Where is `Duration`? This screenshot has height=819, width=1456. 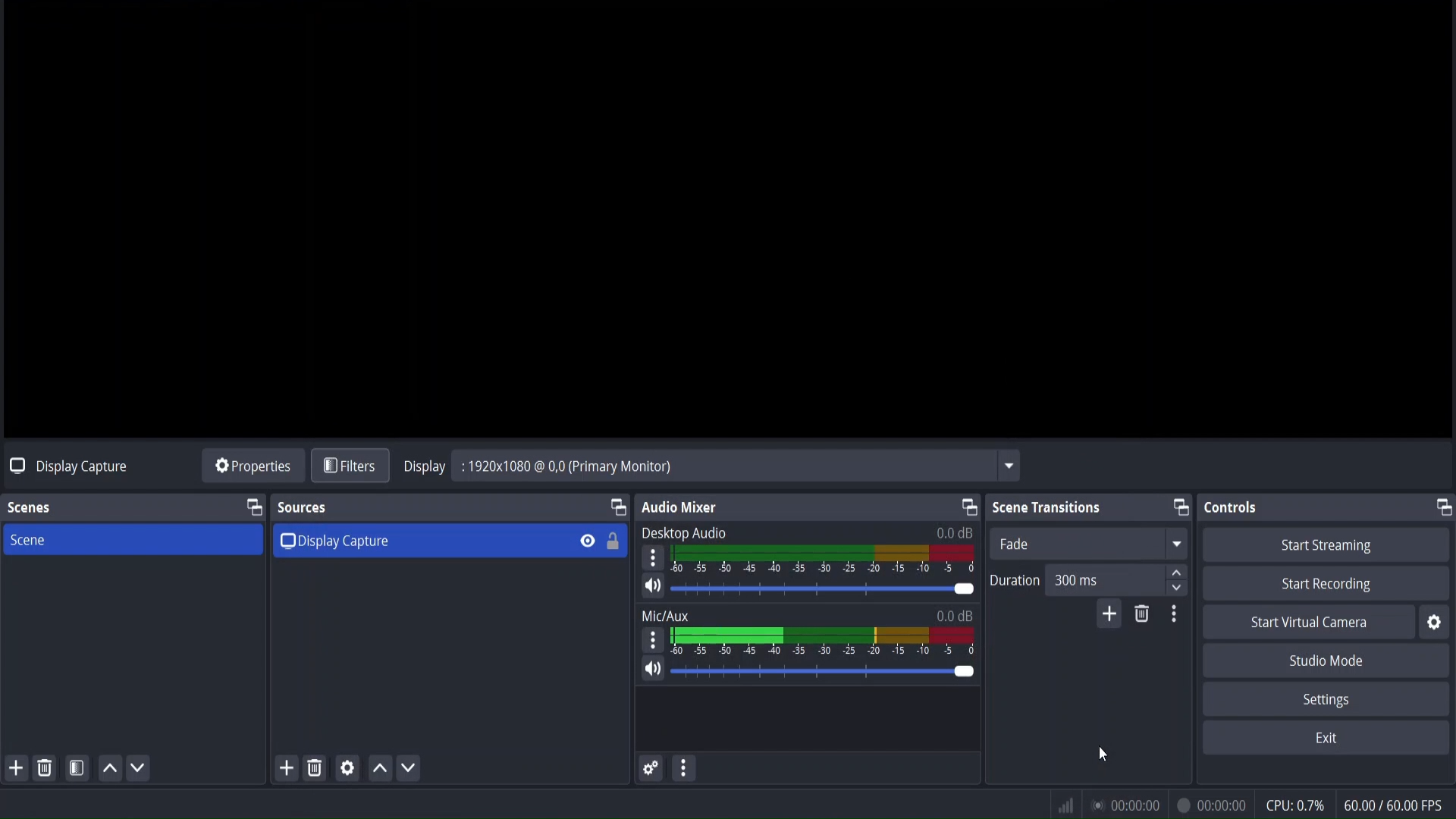
Duration is located at coordinates (1016, 582).